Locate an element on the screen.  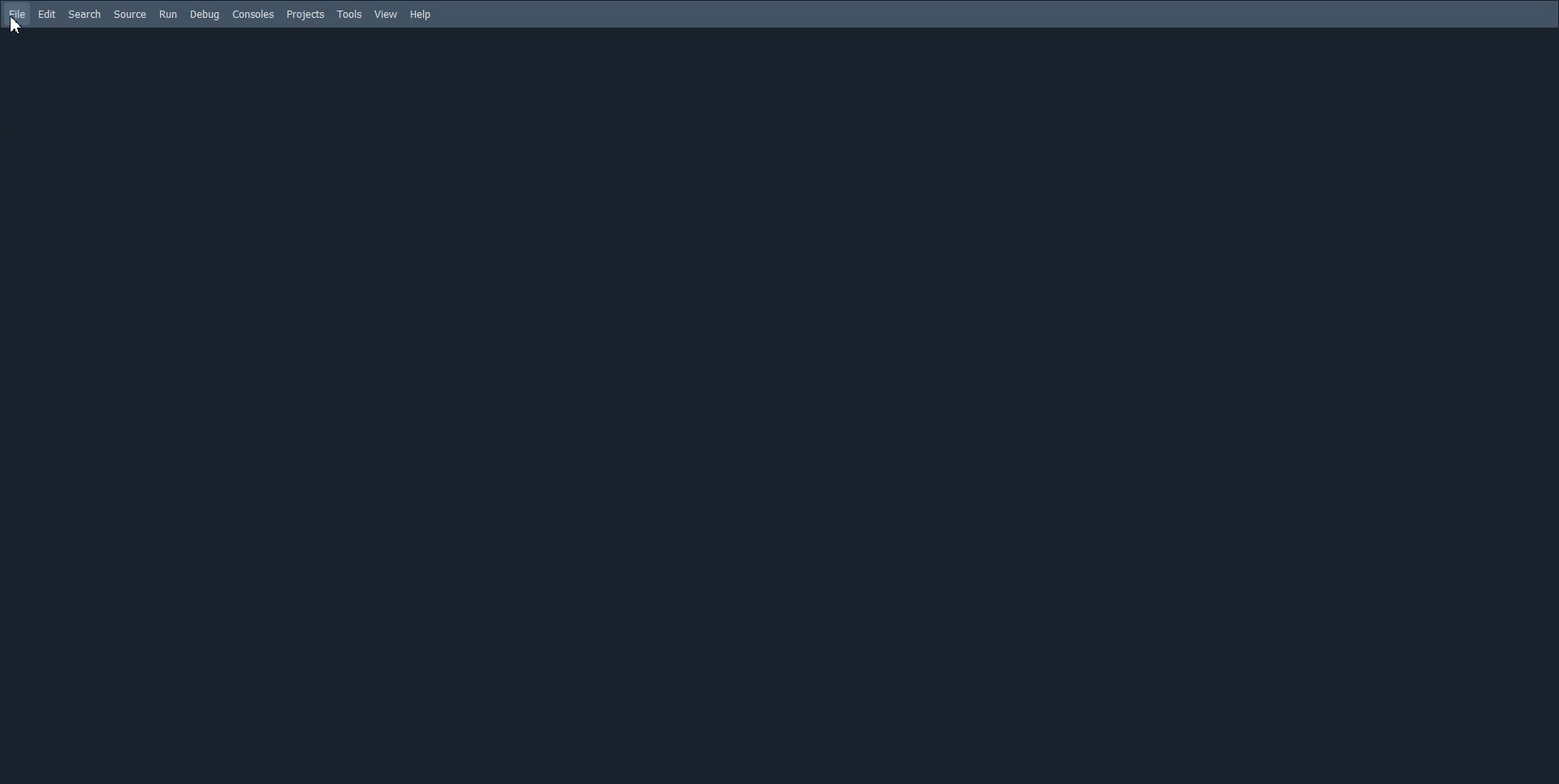
Consoles is located at coordinates (253, 15).